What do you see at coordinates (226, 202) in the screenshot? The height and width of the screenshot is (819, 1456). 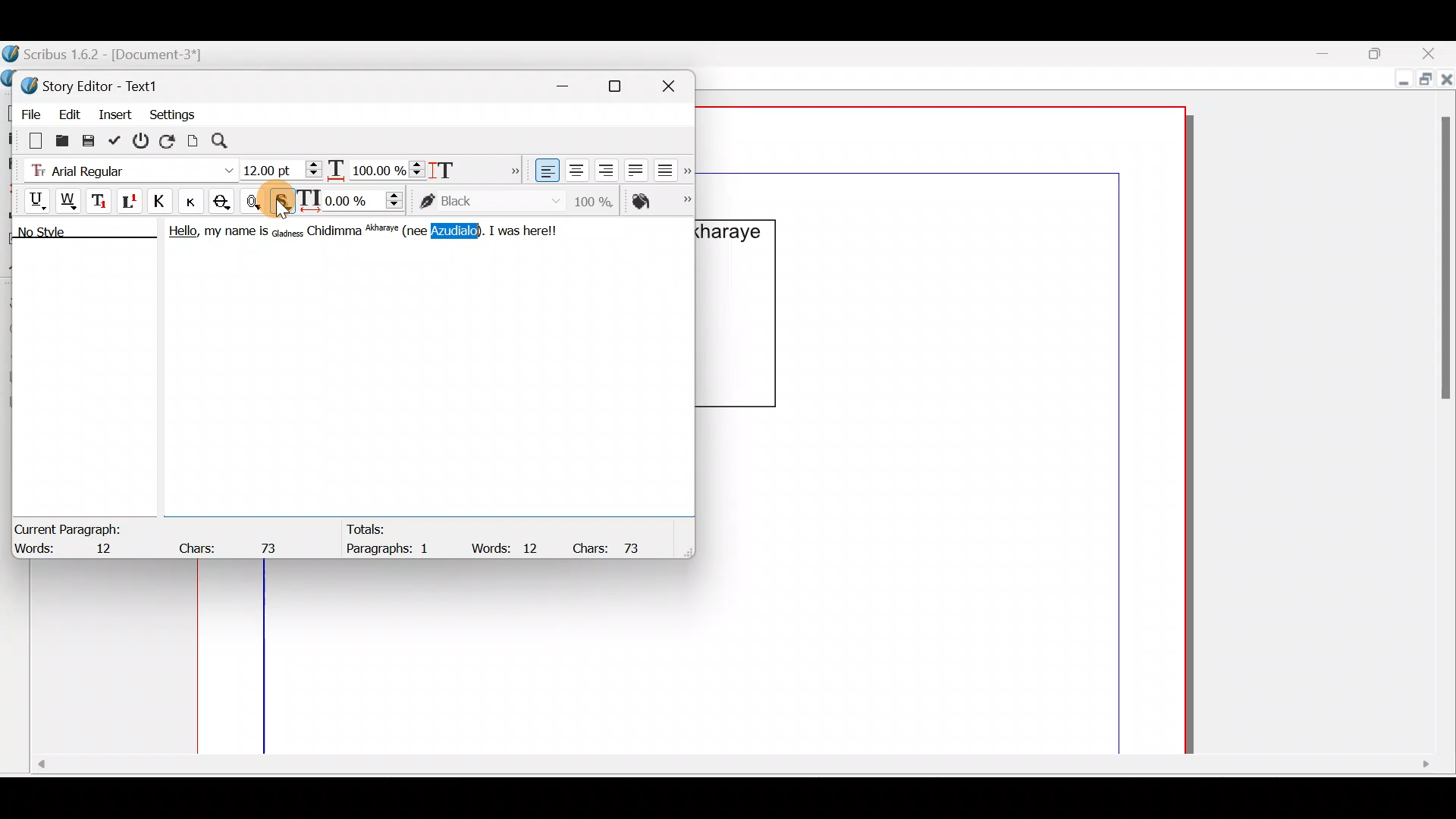 I see `Strike out` at bounding box center [226, 202].